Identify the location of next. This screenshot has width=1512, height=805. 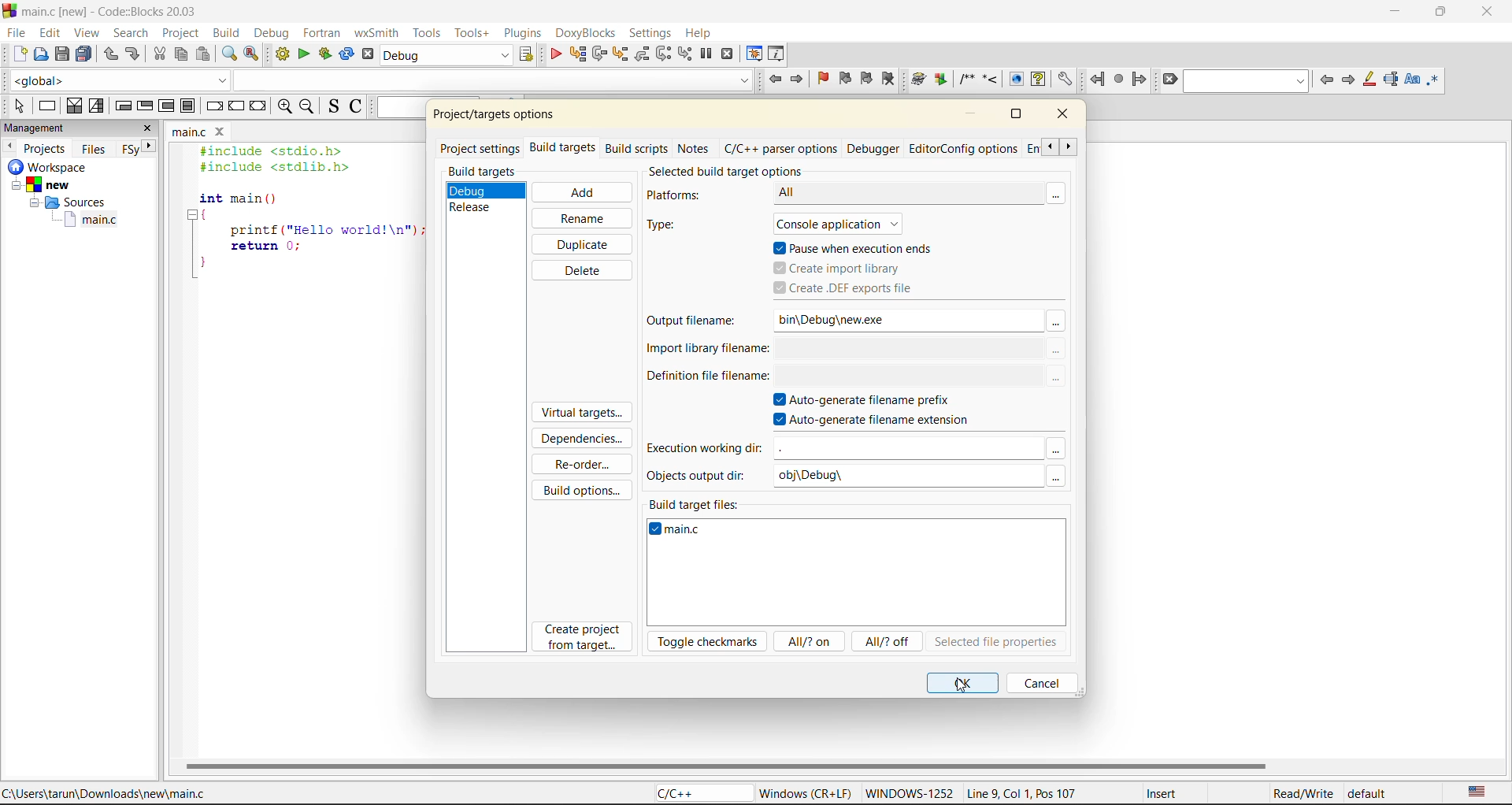
(1349, 80).